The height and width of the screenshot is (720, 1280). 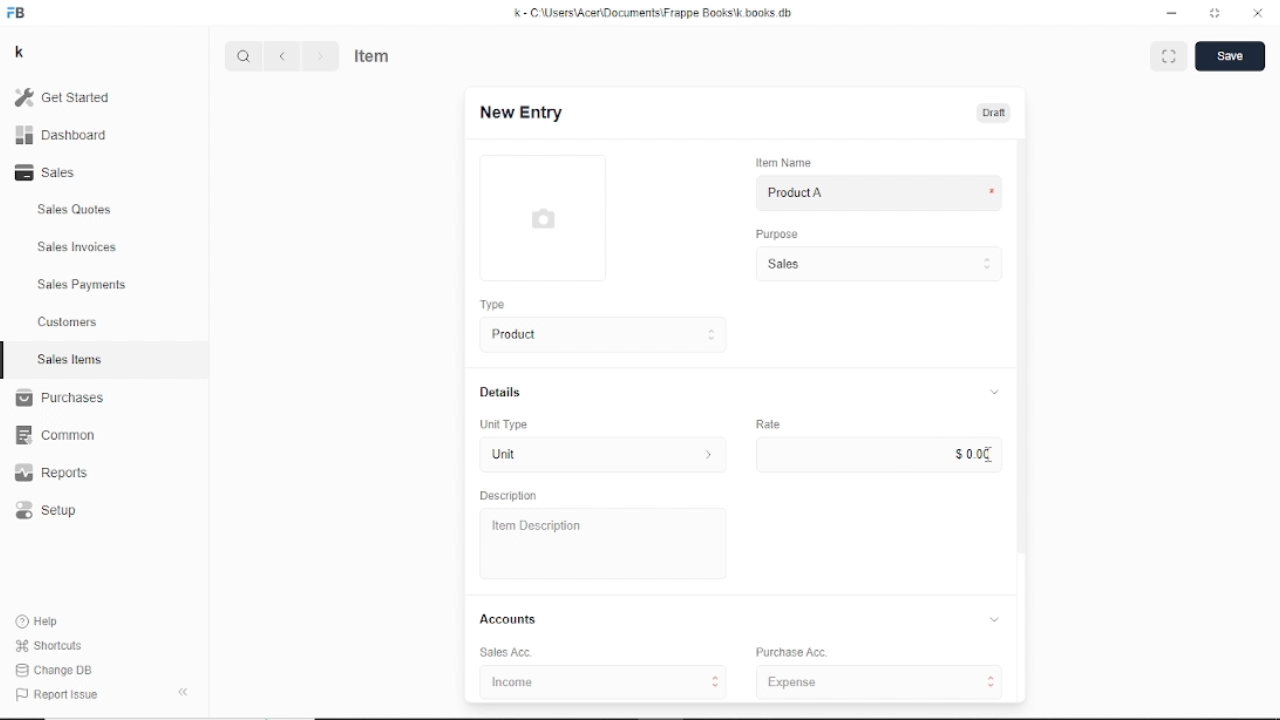 What do you see at coordinates (83, 284) in the screenshot?
I see `Sales Payments` at bounding box center [83, 284].